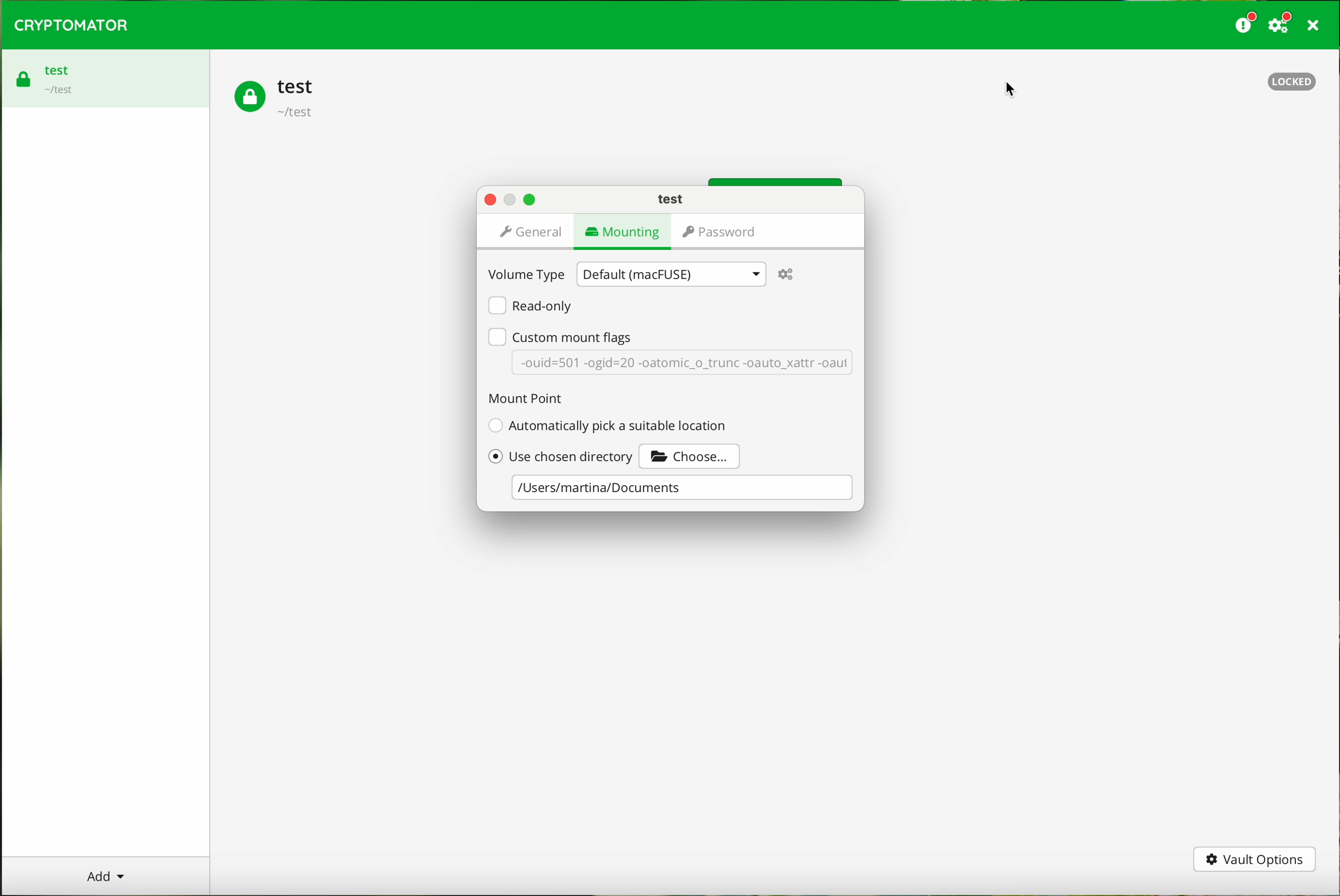 The height and width of the screenshot is (896, 1340). What do you see at coordinates (529, 306) in the screenshot?
I see `read-only` at bounding box center [529, 306].